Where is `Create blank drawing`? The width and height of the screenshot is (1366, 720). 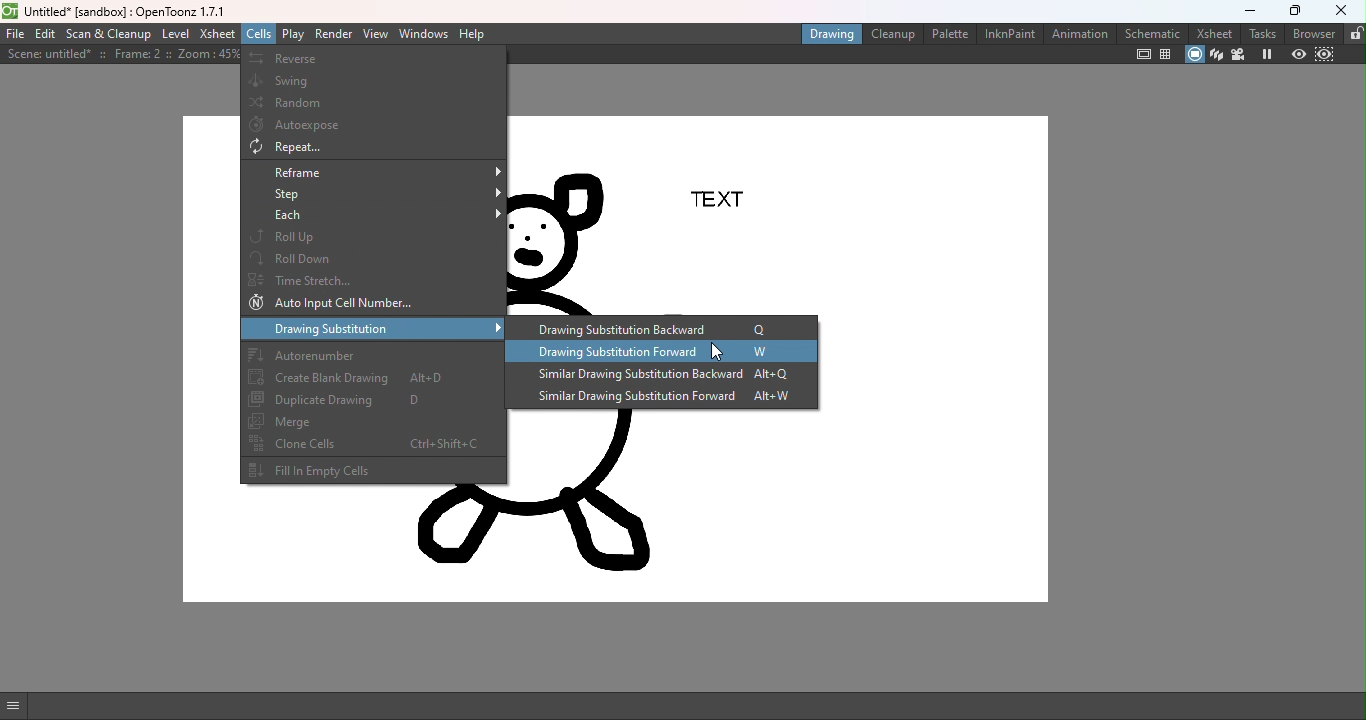
Create blank drawing is located at coordinates (376, 379).